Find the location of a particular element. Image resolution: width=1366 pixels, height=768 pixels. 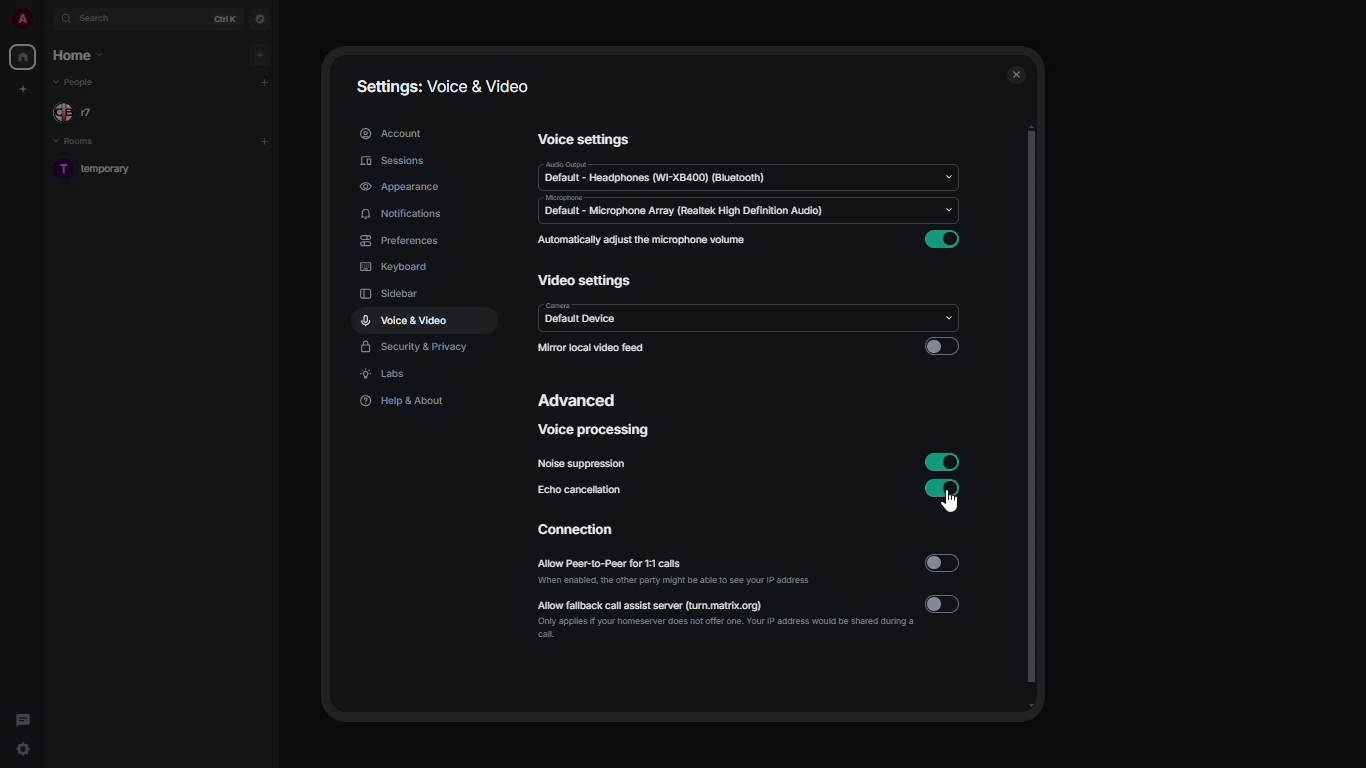

echo cancellation is located at coordinates (582, 490).